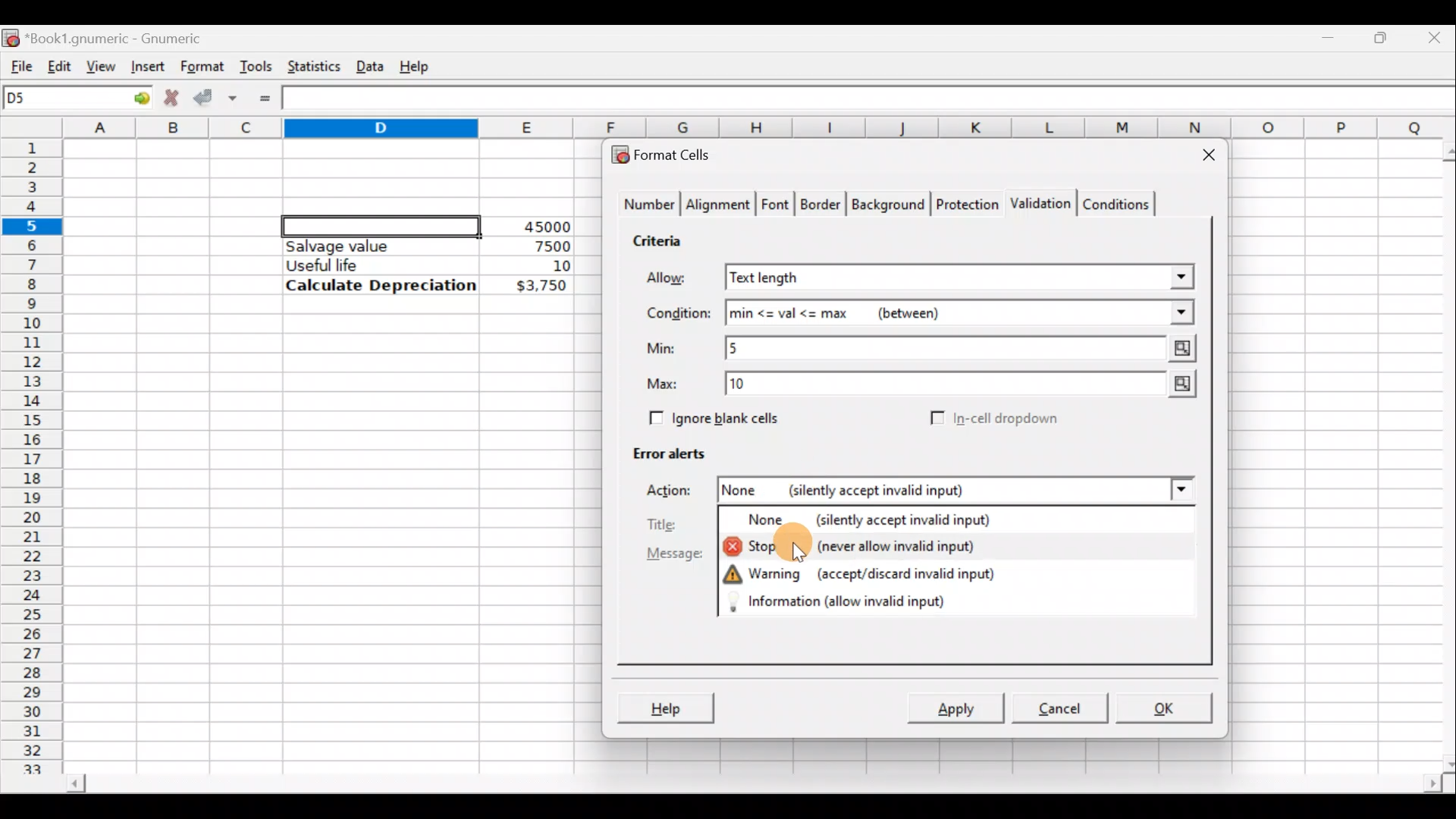 Image resolution: width=1456 pixels, height=819 pixels. I want to click on Message, so click(672, 557).